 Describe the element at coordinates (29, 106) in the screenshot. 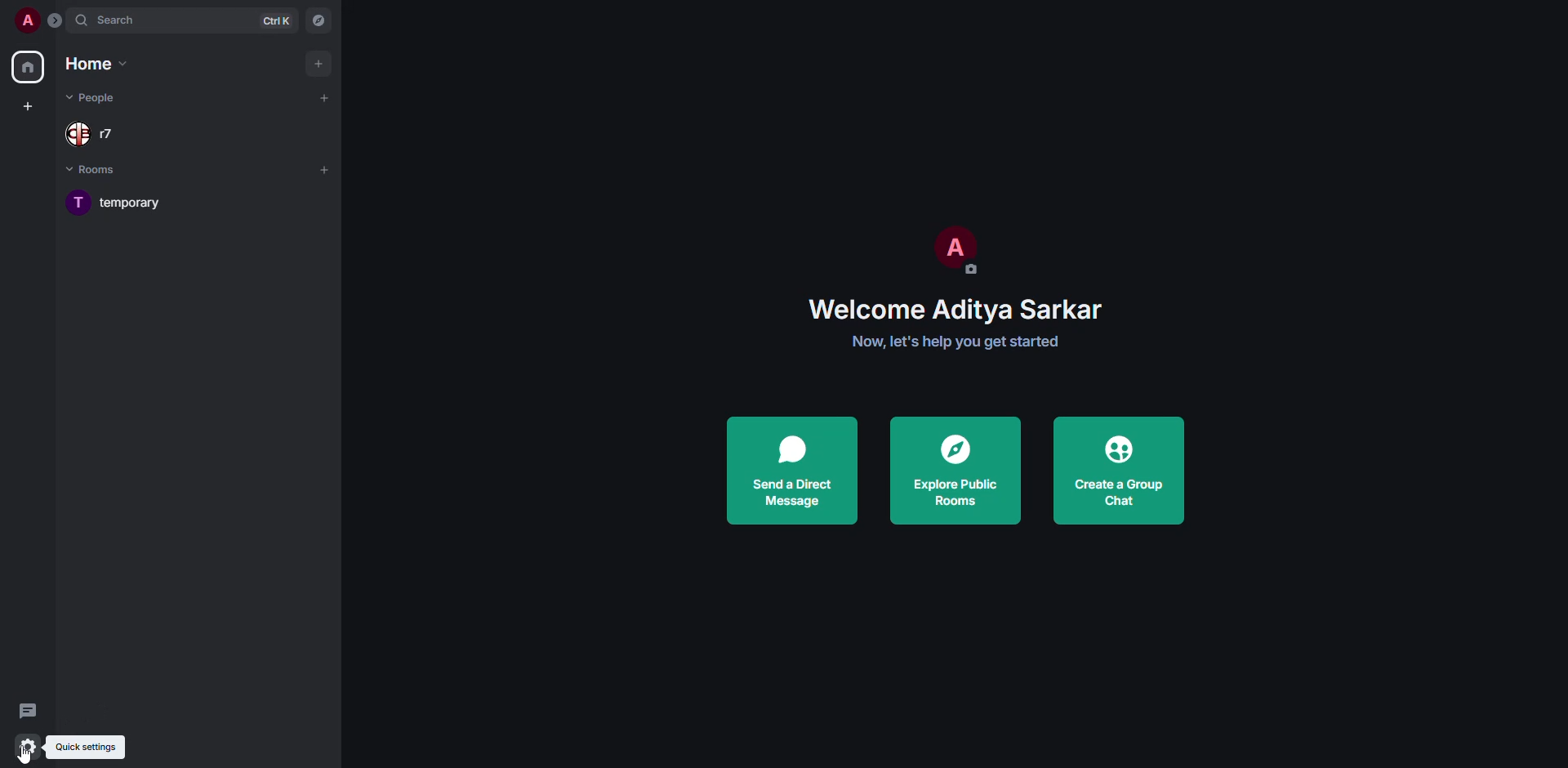

I see `create space` at that location.